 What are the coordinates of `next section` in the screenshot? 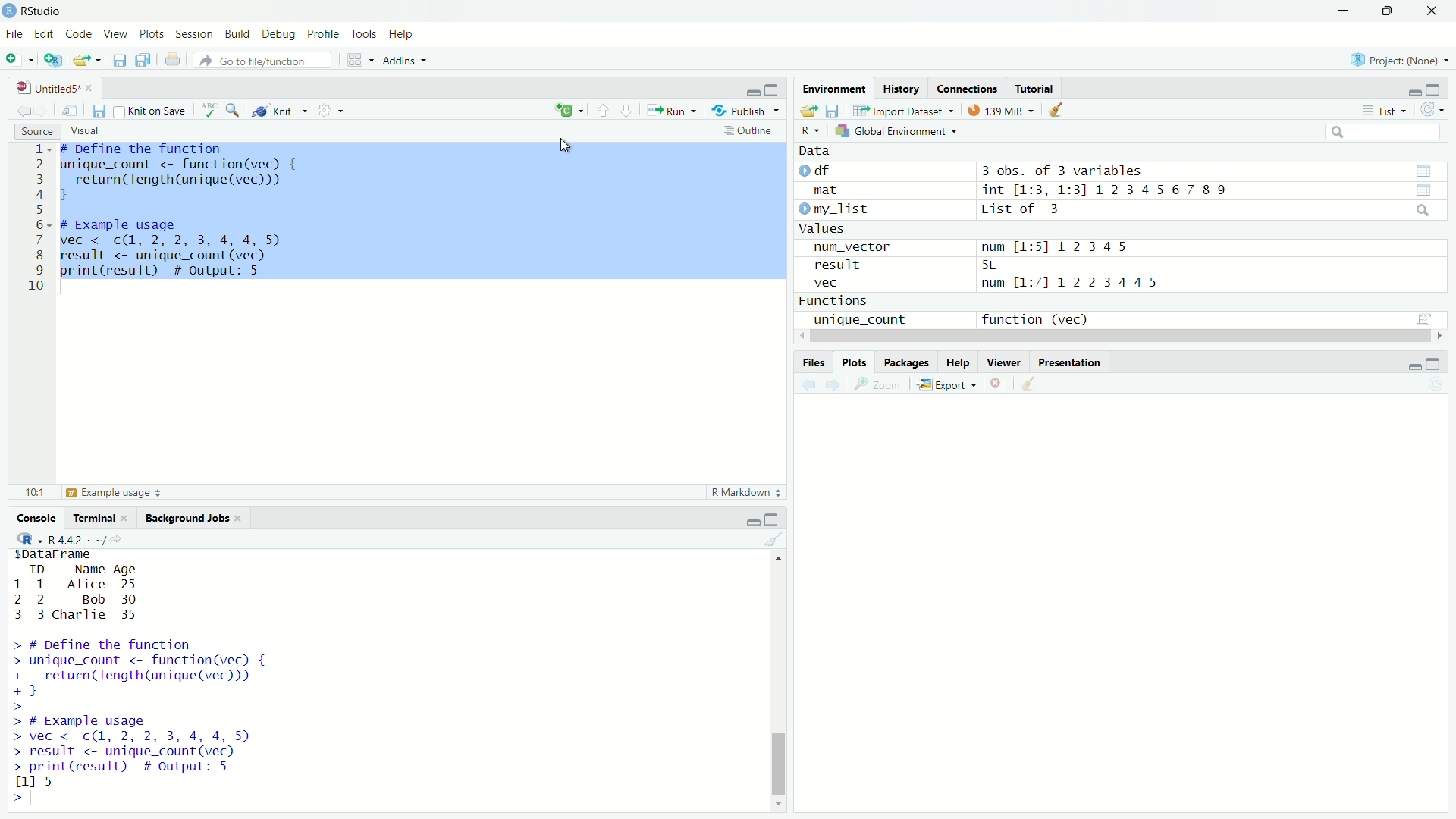 It's located at (626, 111).